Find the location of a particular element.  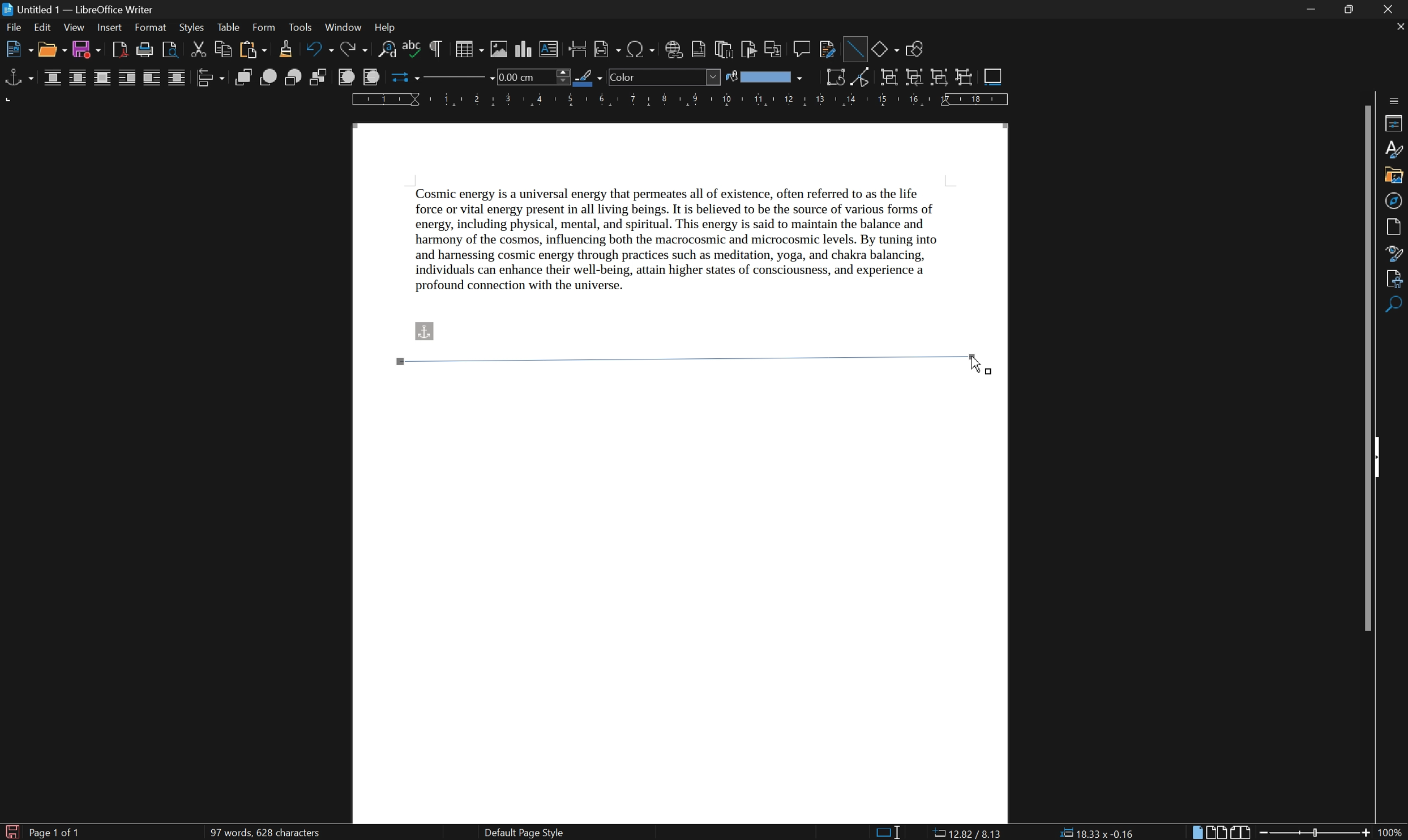

new is located at coordinates (19, 51).